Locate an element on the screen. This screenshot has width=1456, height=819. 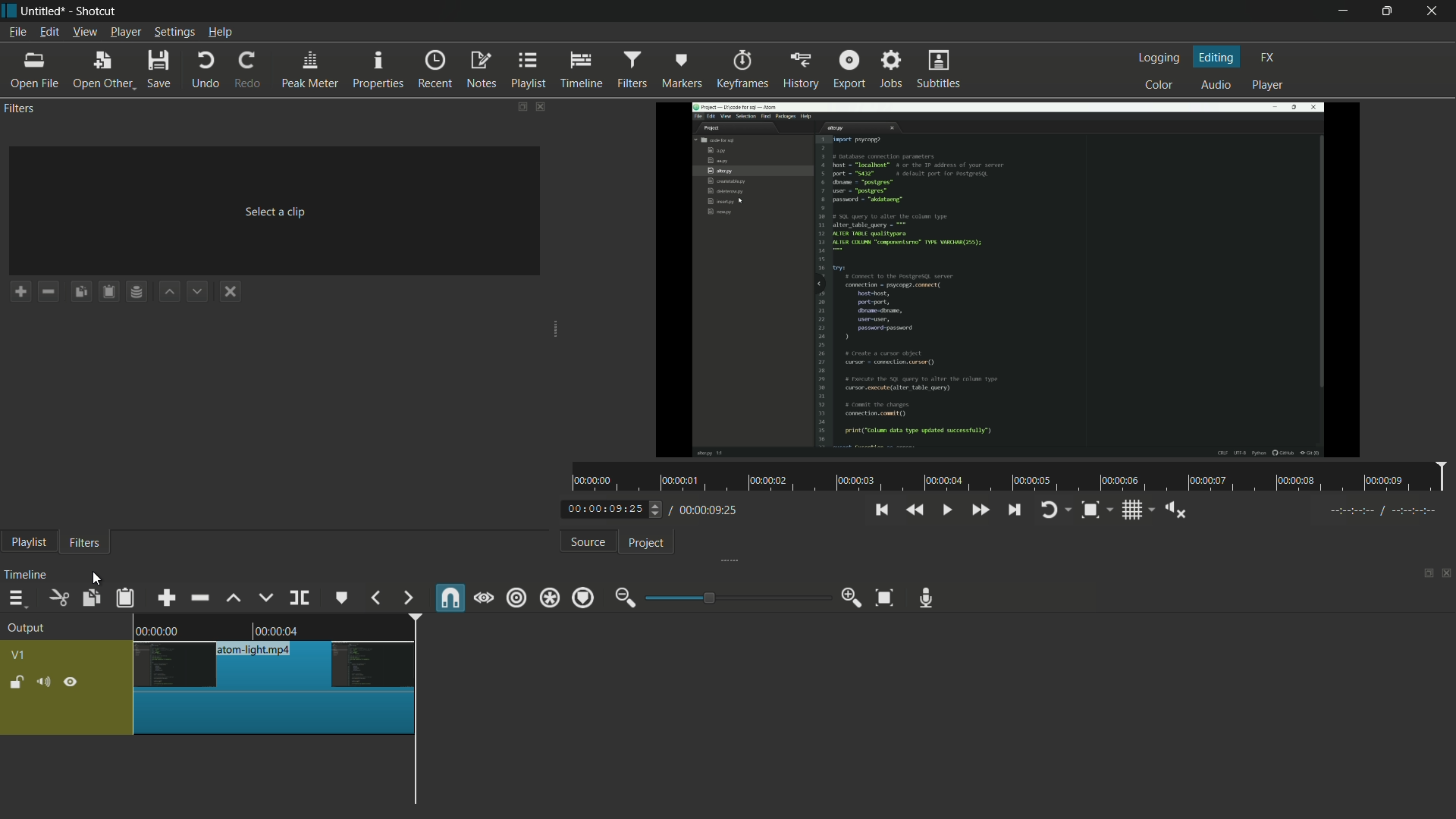
save filter set is located at coordinates (140, 293).